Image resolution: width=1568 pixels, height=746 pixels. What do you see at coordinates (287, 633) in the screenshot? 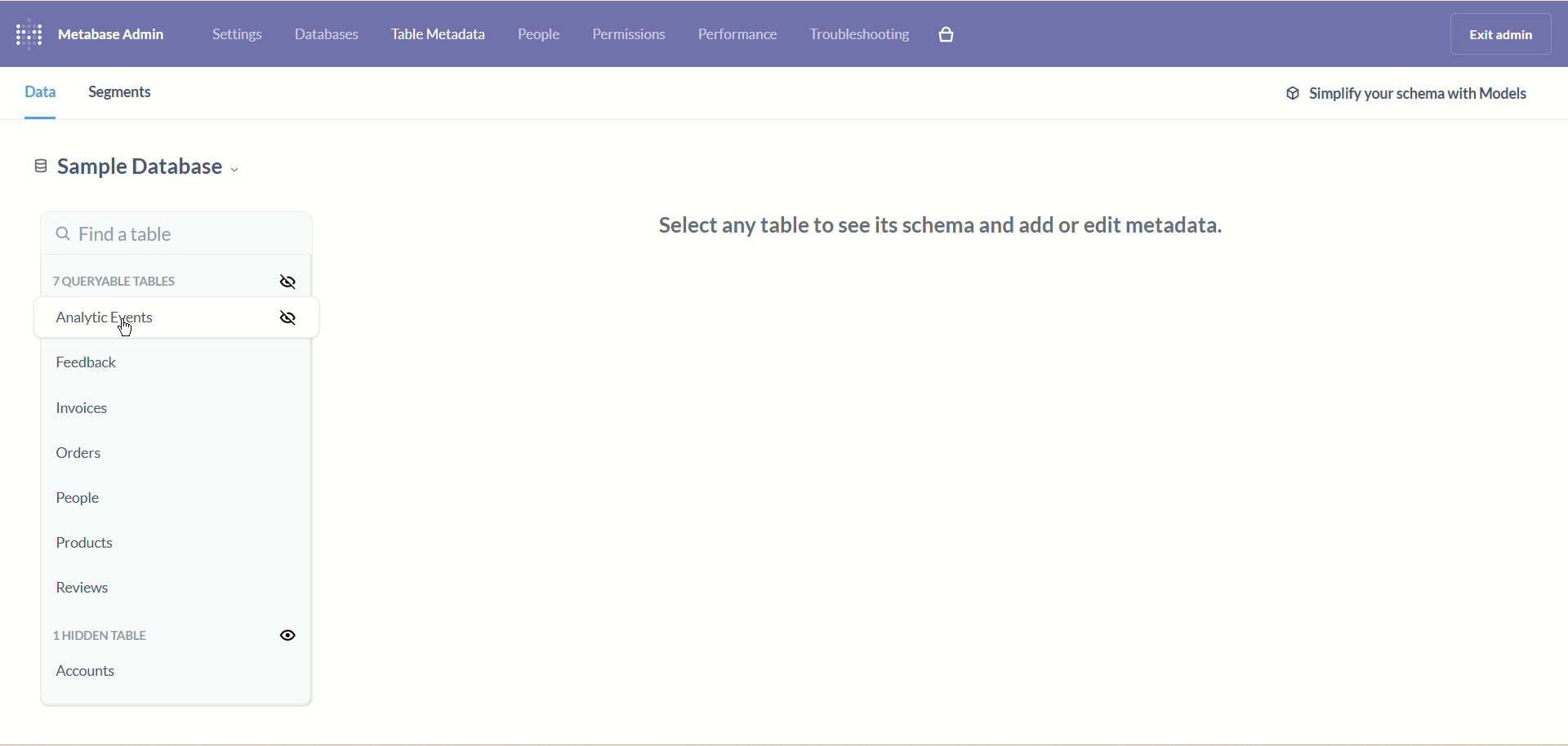
I see `Unhide all` at bounding box center [287, 633].